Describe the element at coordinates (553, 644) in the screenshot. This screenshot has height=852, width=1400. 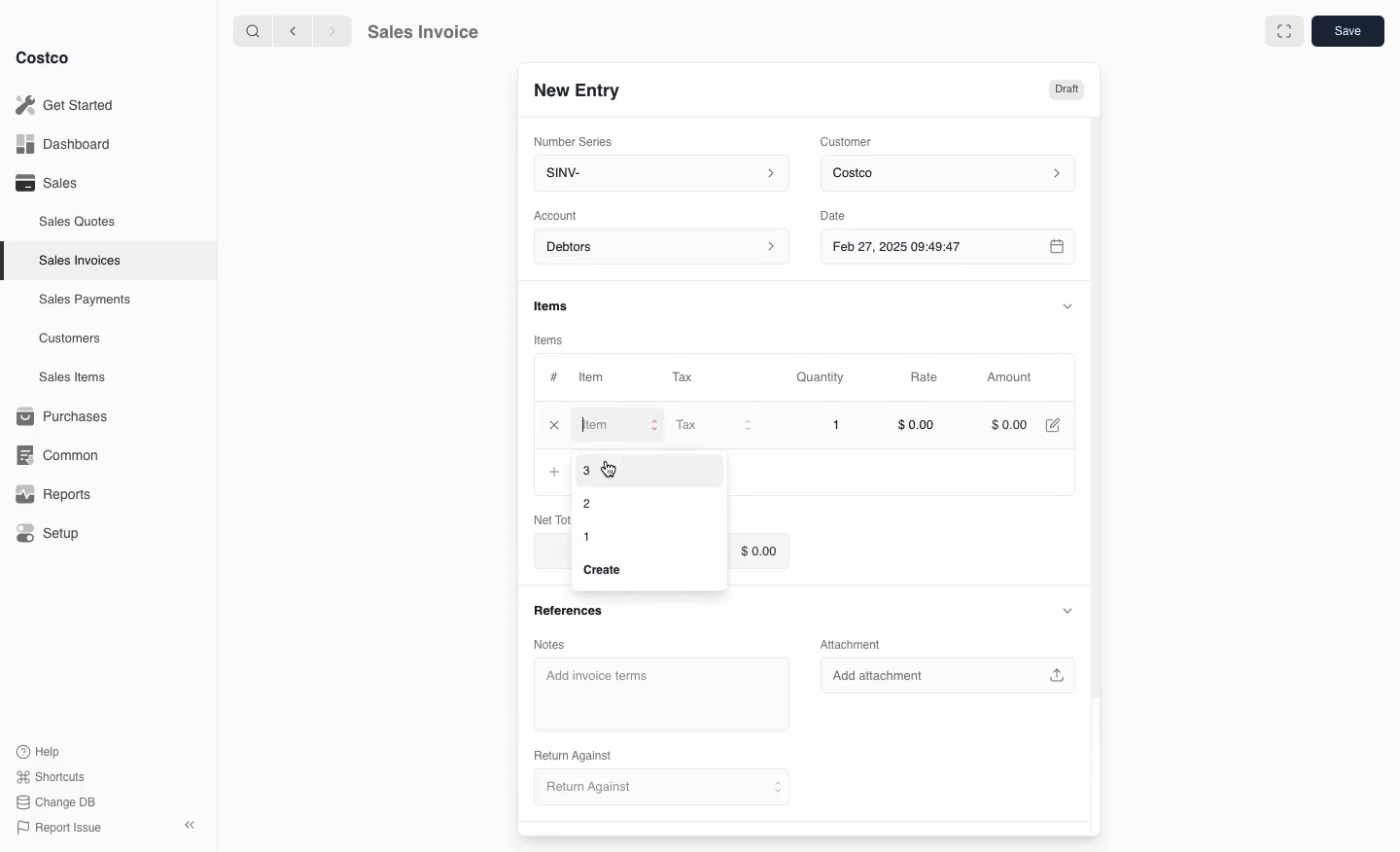
I see `Notes` at that location.